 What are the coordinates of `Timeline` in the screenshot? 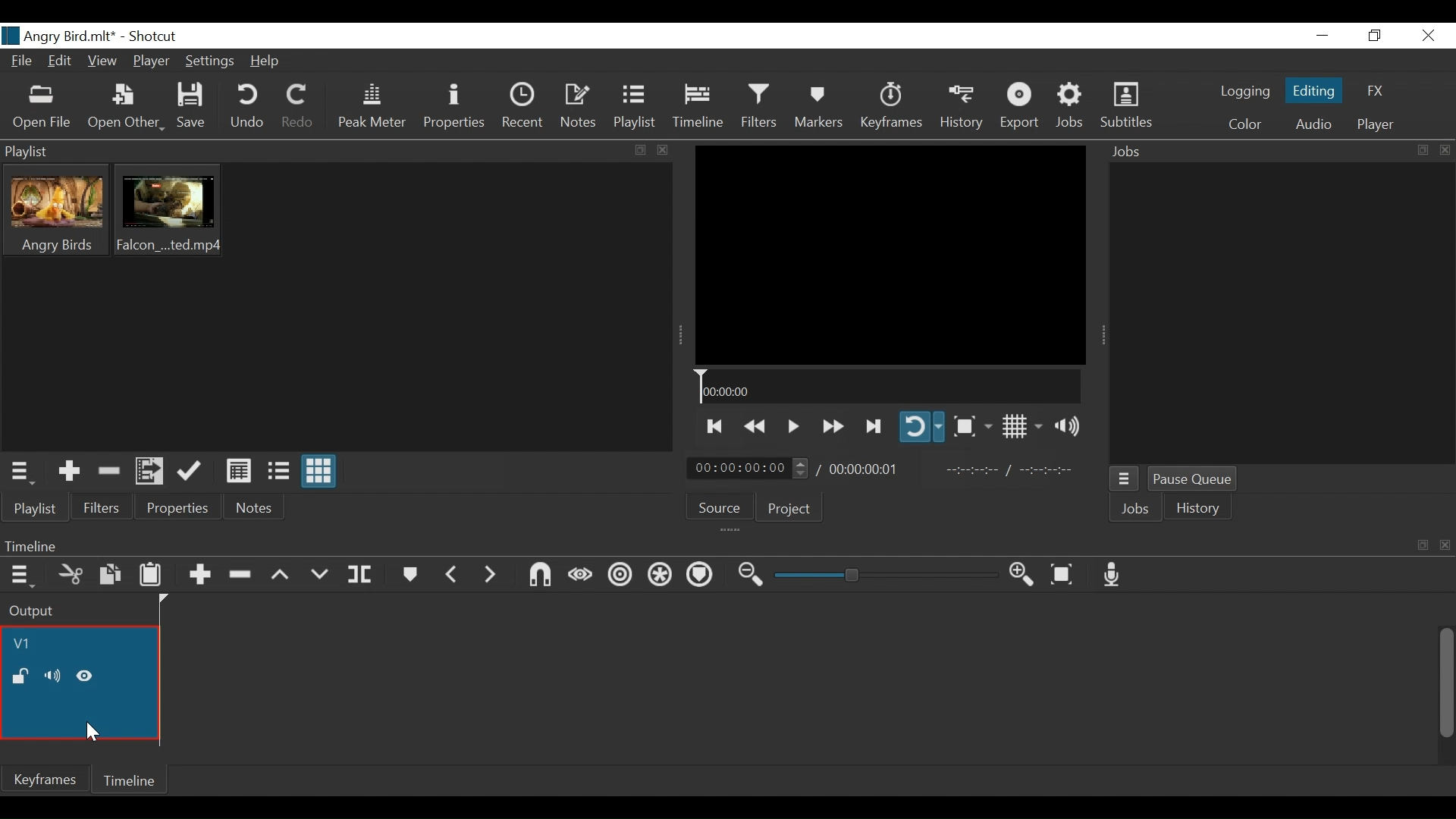 It's located at (133, 781).